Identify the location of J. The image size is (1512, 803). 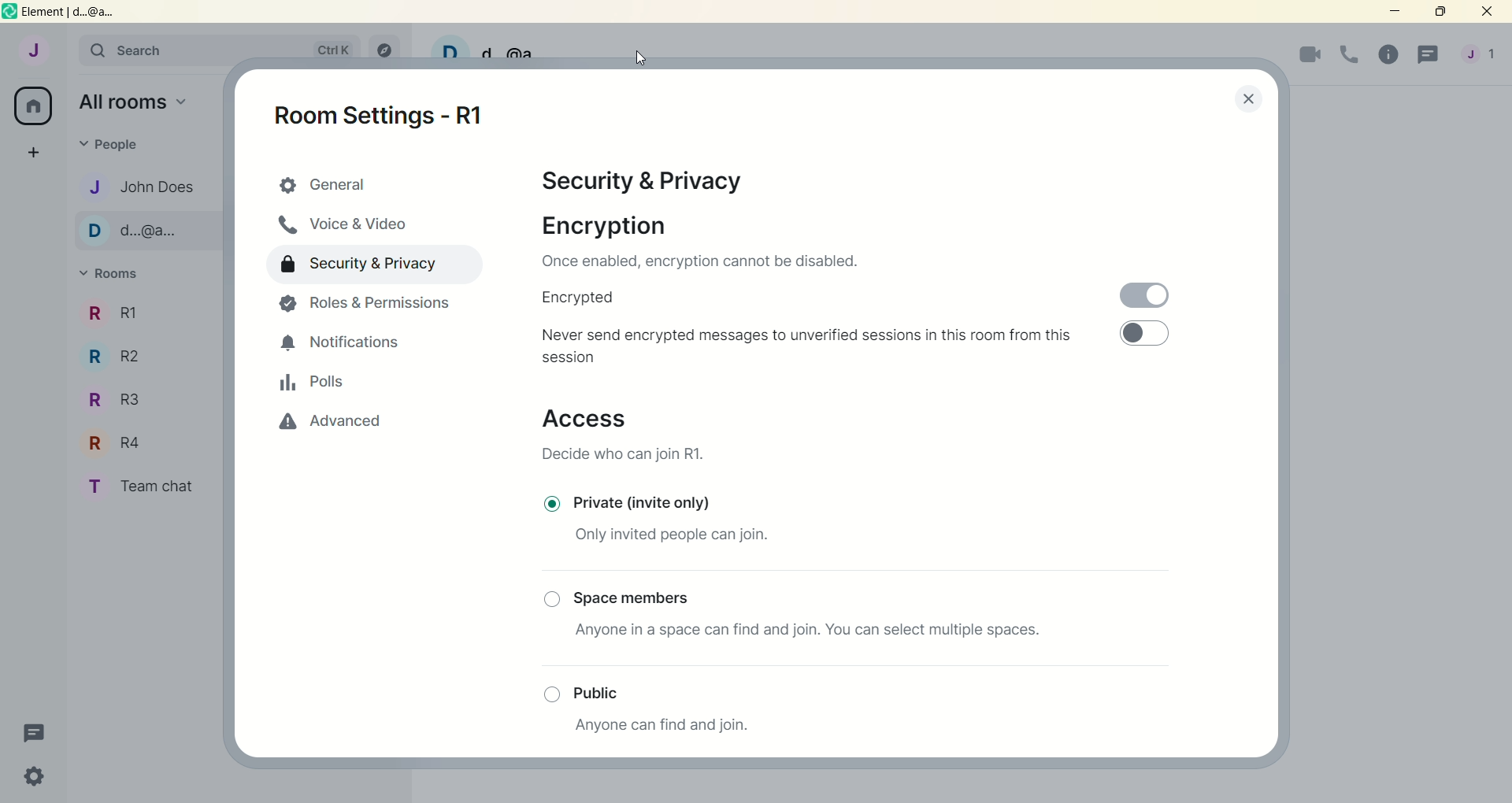
(31, 50).